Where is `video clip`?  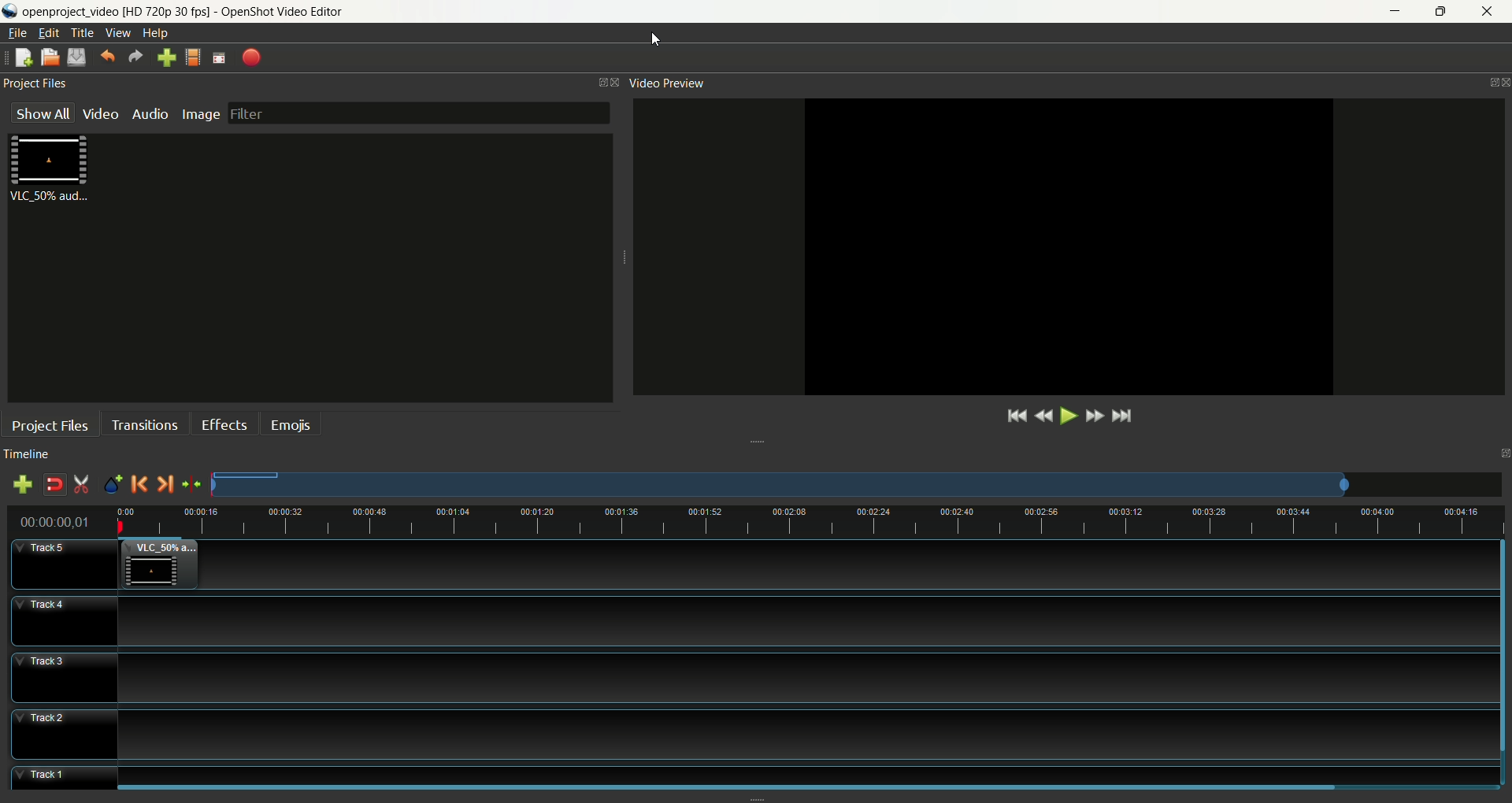
video clip is located at coordinates (54, 171).